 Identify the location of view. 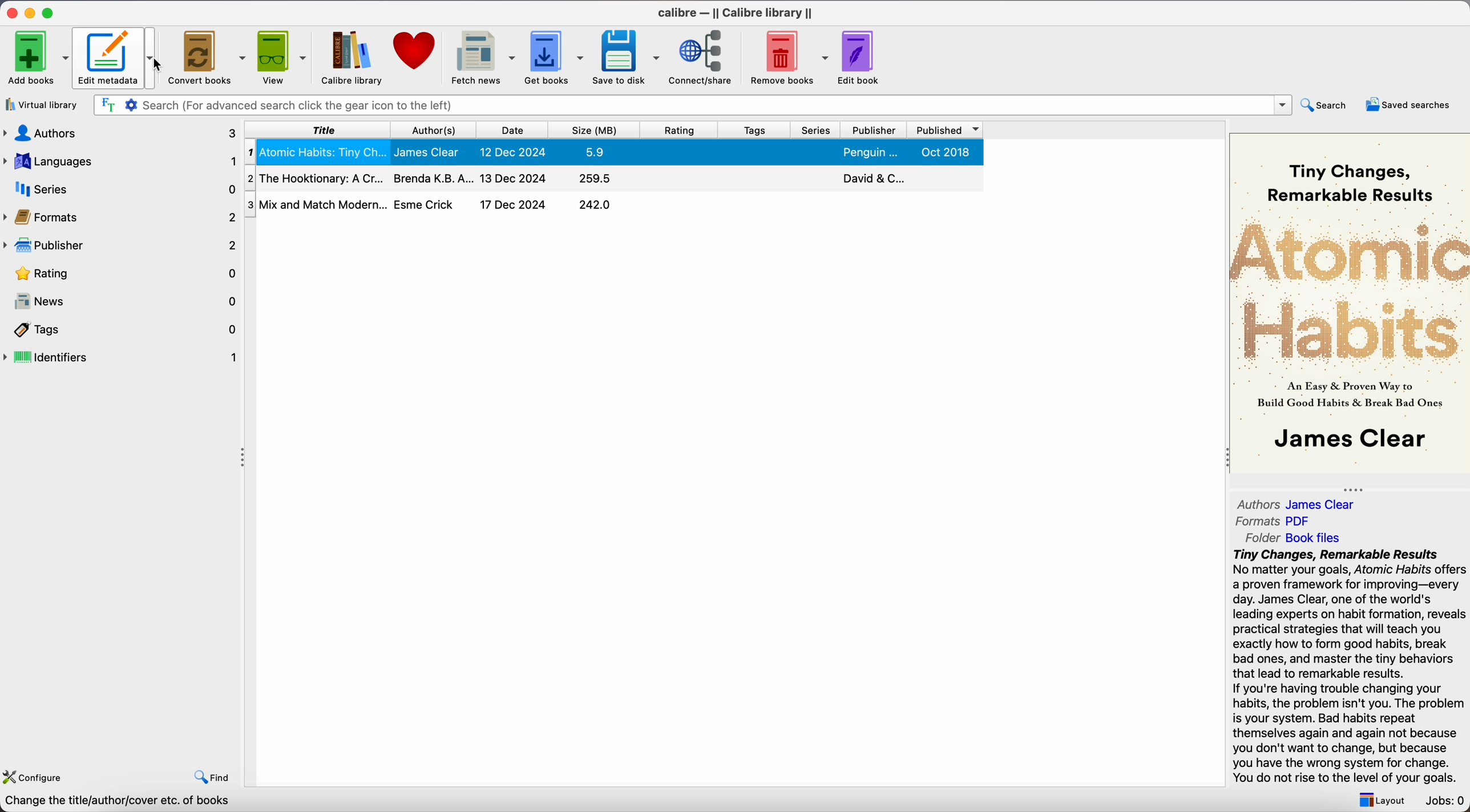
(283, 58).